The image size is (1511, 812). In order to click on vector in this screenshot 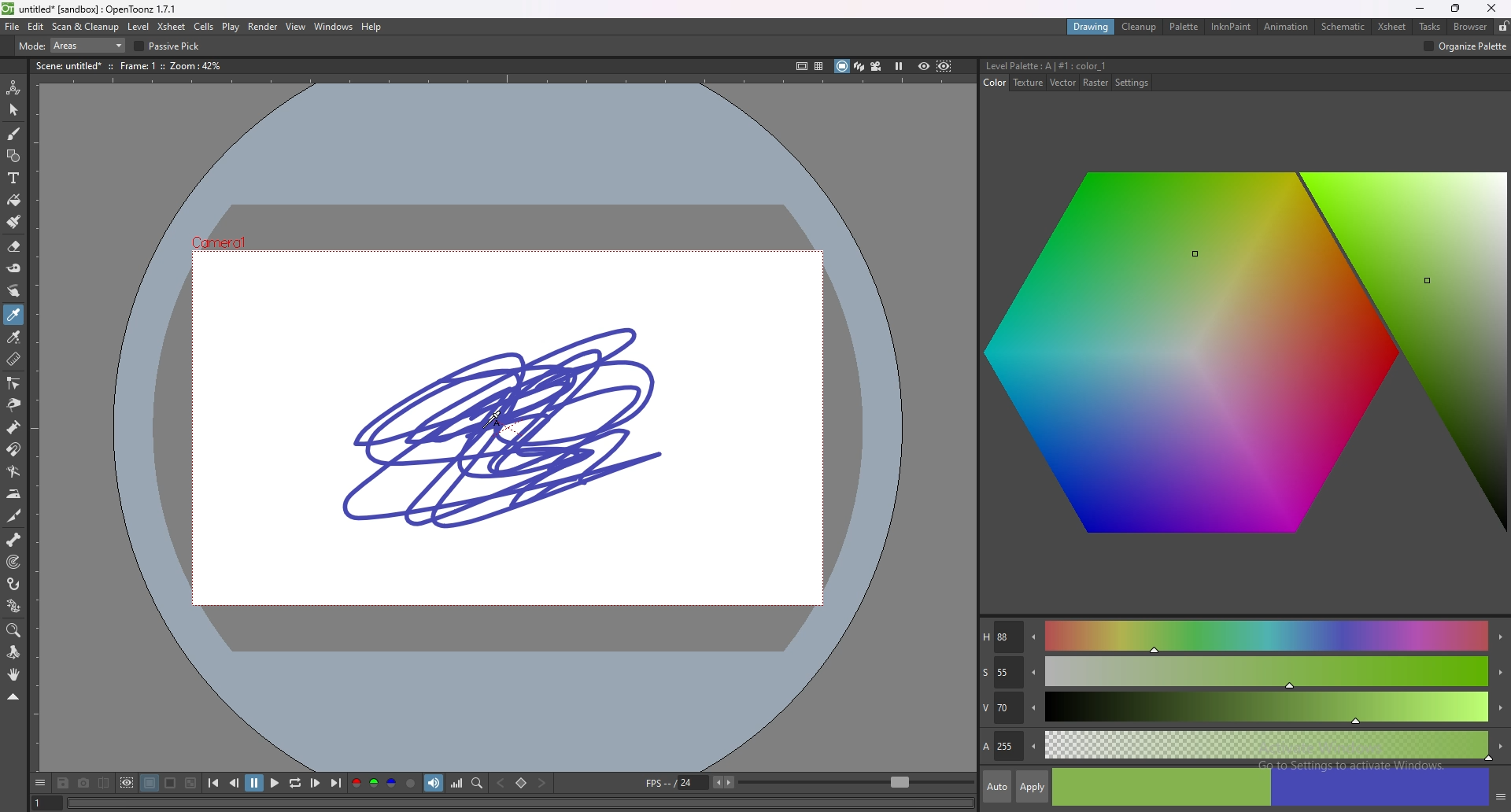, I will do `click(1065, 83)`.